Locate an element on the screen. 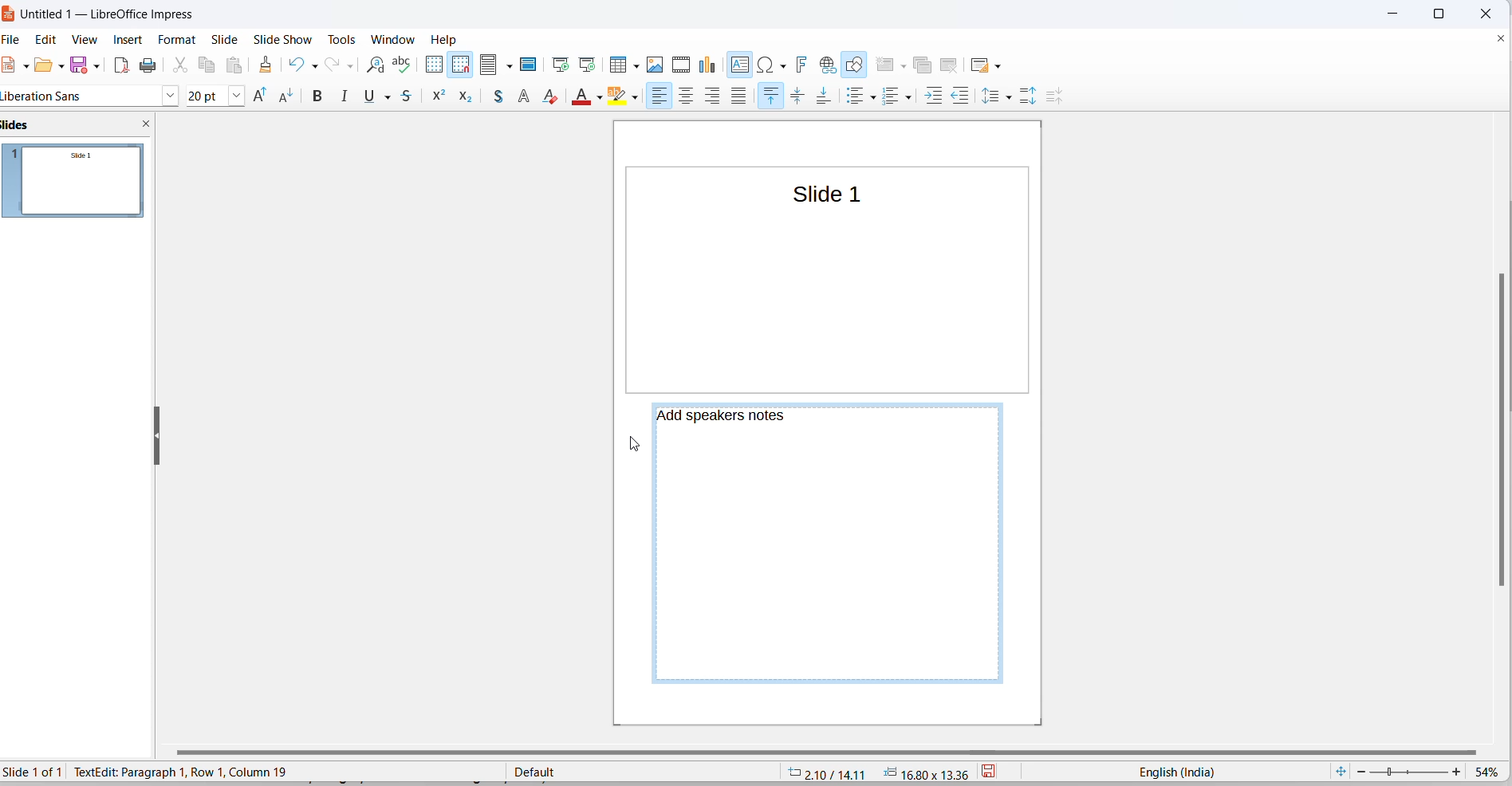 Image resolution: width=1512 pixels, height=786 pixels. display grid is located at coordinates (435, 64).